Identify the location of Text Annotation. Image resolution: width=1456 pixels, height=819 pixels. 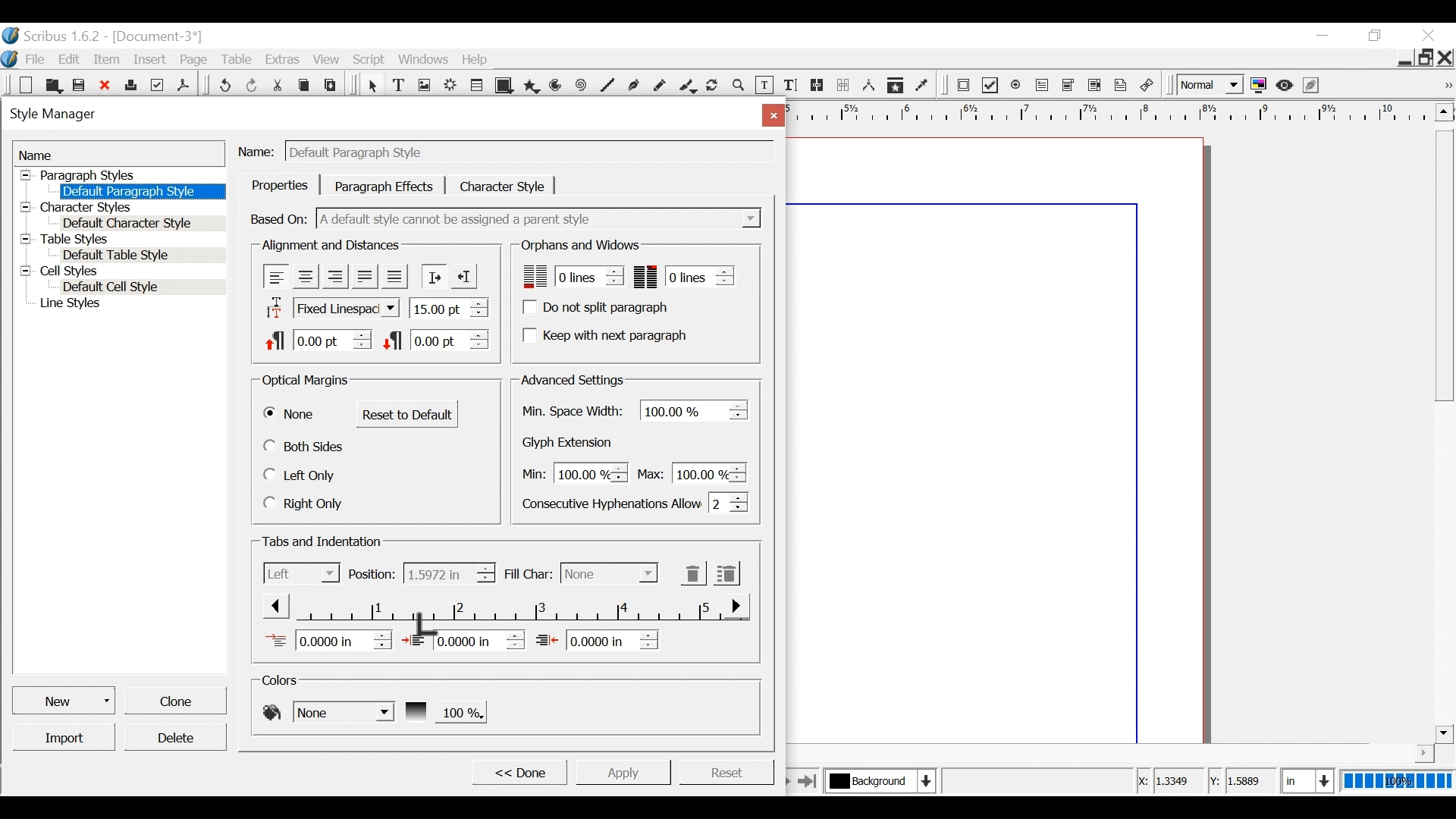
(1122, 86).